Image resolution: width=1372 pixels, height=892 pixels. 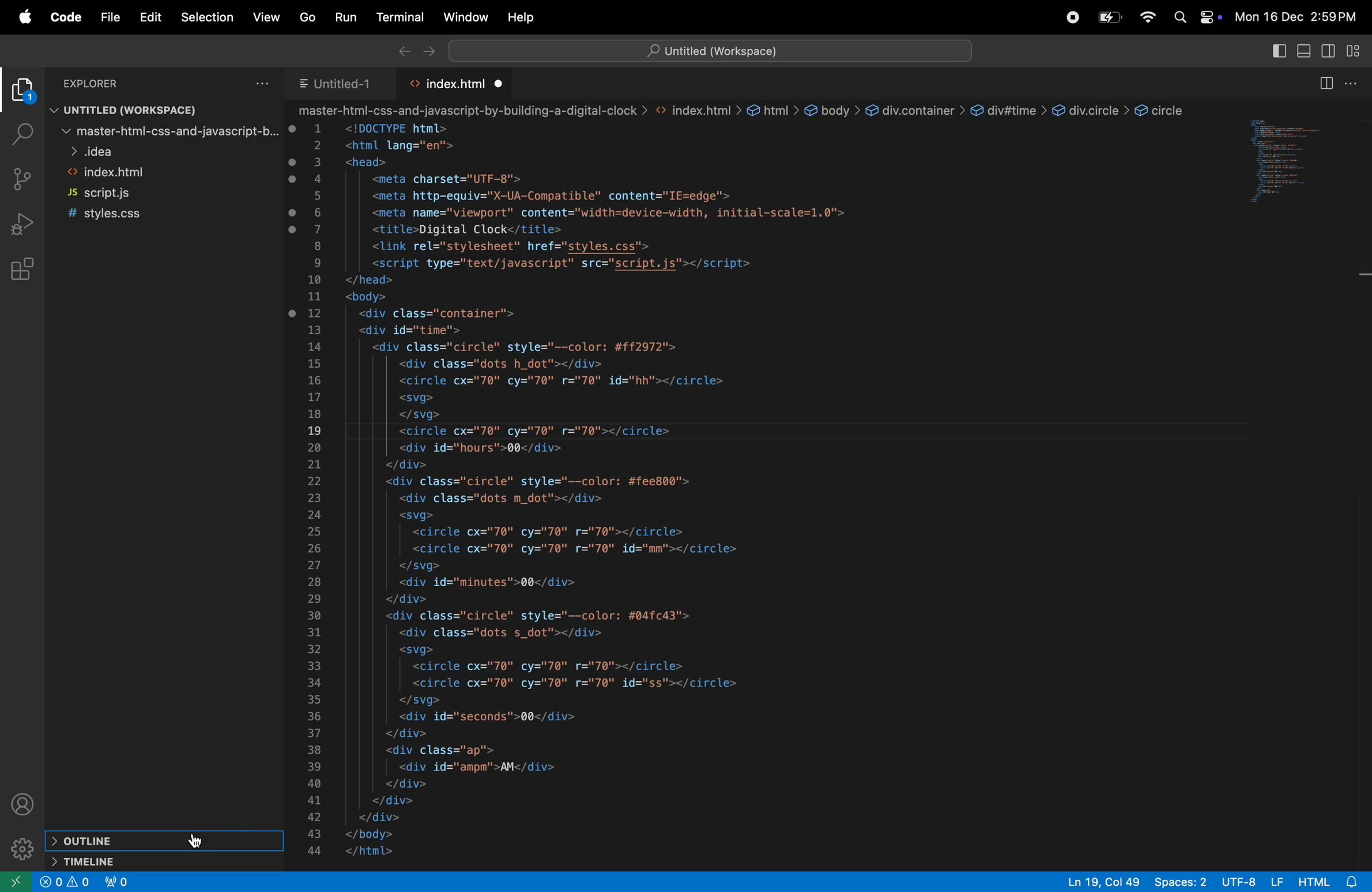 What do you see at coordinates (168, 150) in the screenshot?
I see `idea` at bounding box center [168, 150].